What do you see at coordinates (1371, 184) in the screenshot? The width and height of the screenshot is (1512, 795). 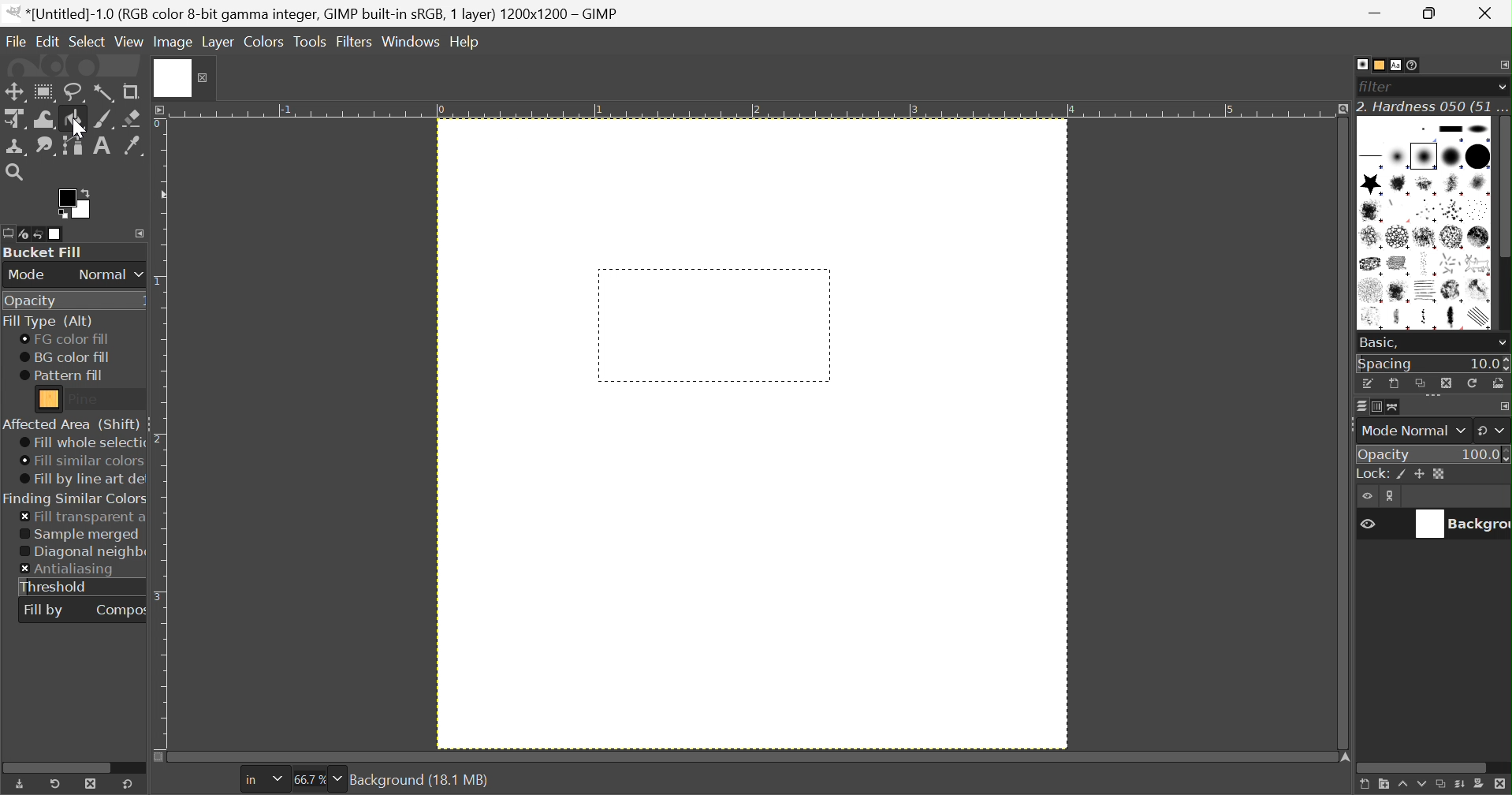 I see `Star` at bounding box center [1371, 184].